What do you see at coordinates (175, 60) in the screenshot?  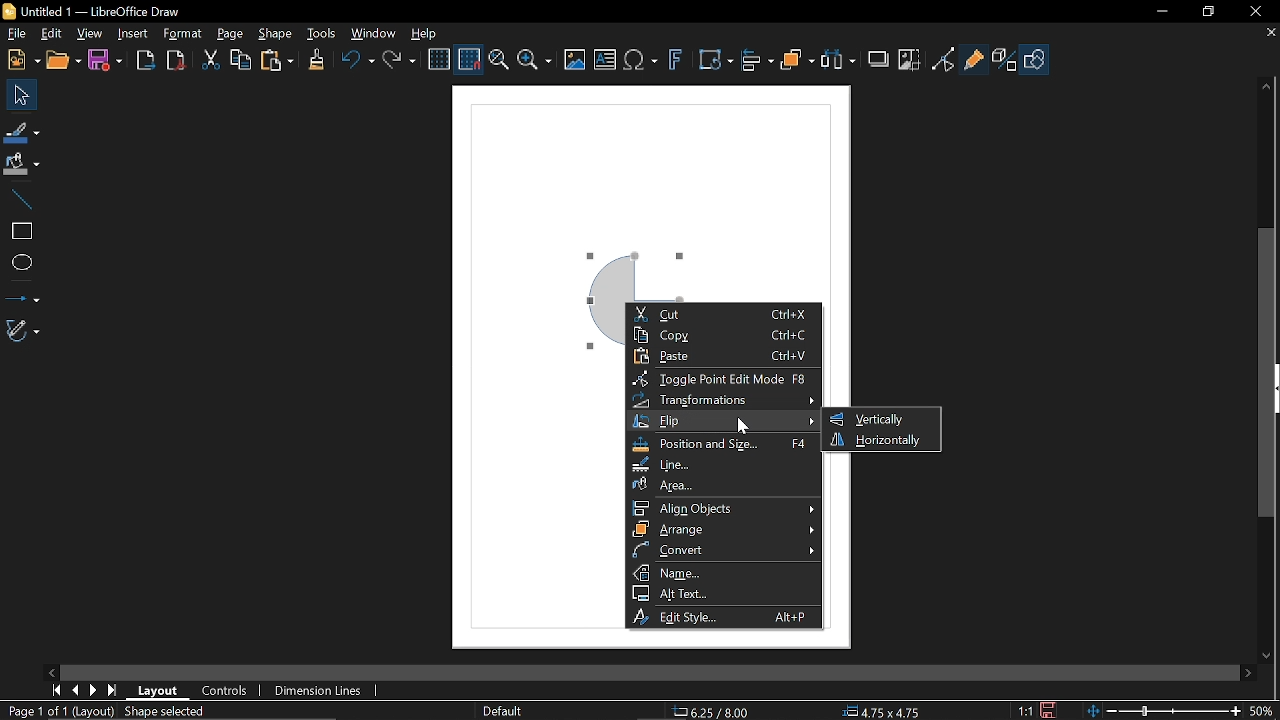 I see `Export as pdf` at bounding box center [175, 60].